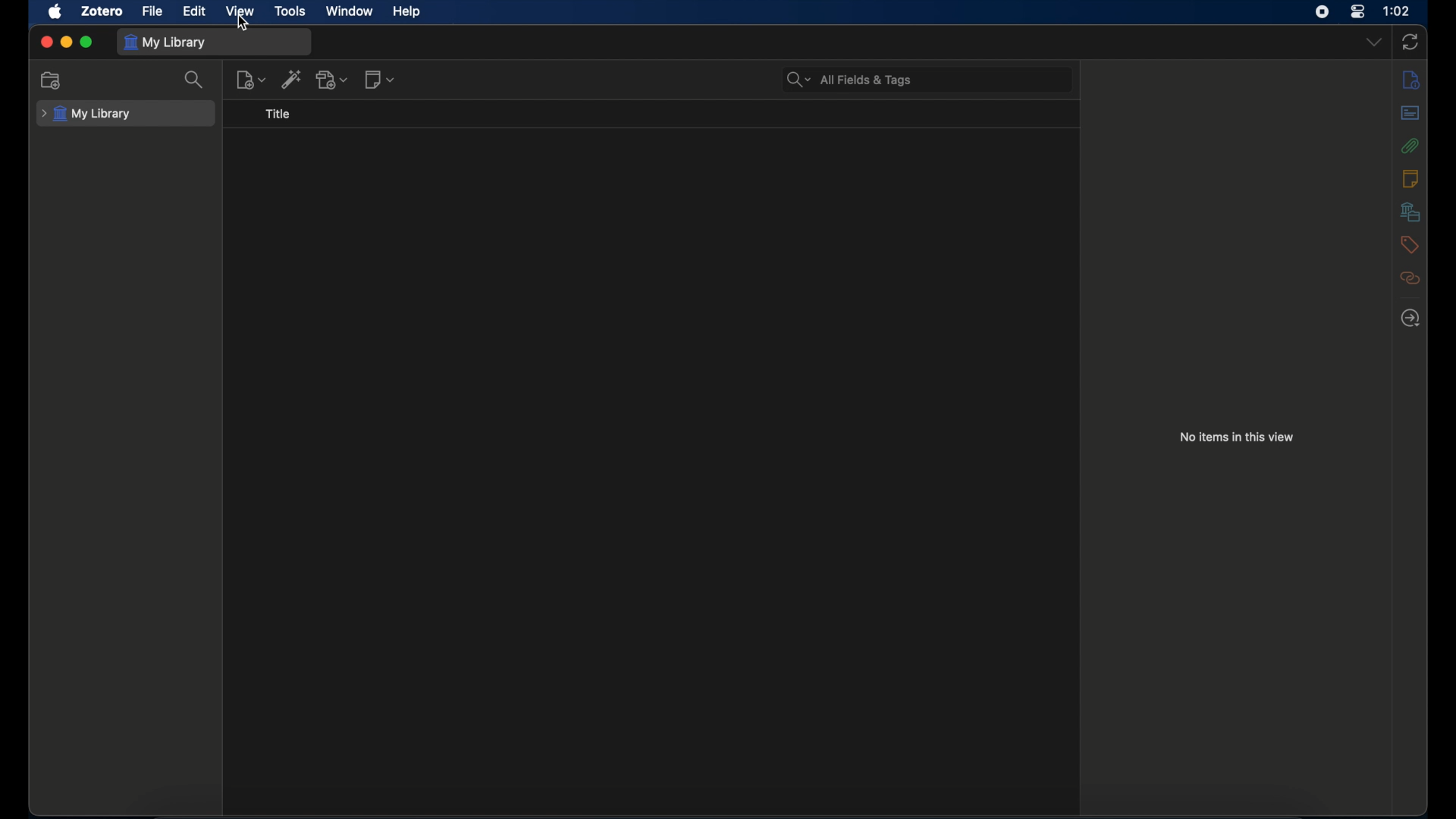 This screenshot has width=1456, height=819. Describe the element at coordinates (290, 11) in the screenshot. I see `tools` at that location.